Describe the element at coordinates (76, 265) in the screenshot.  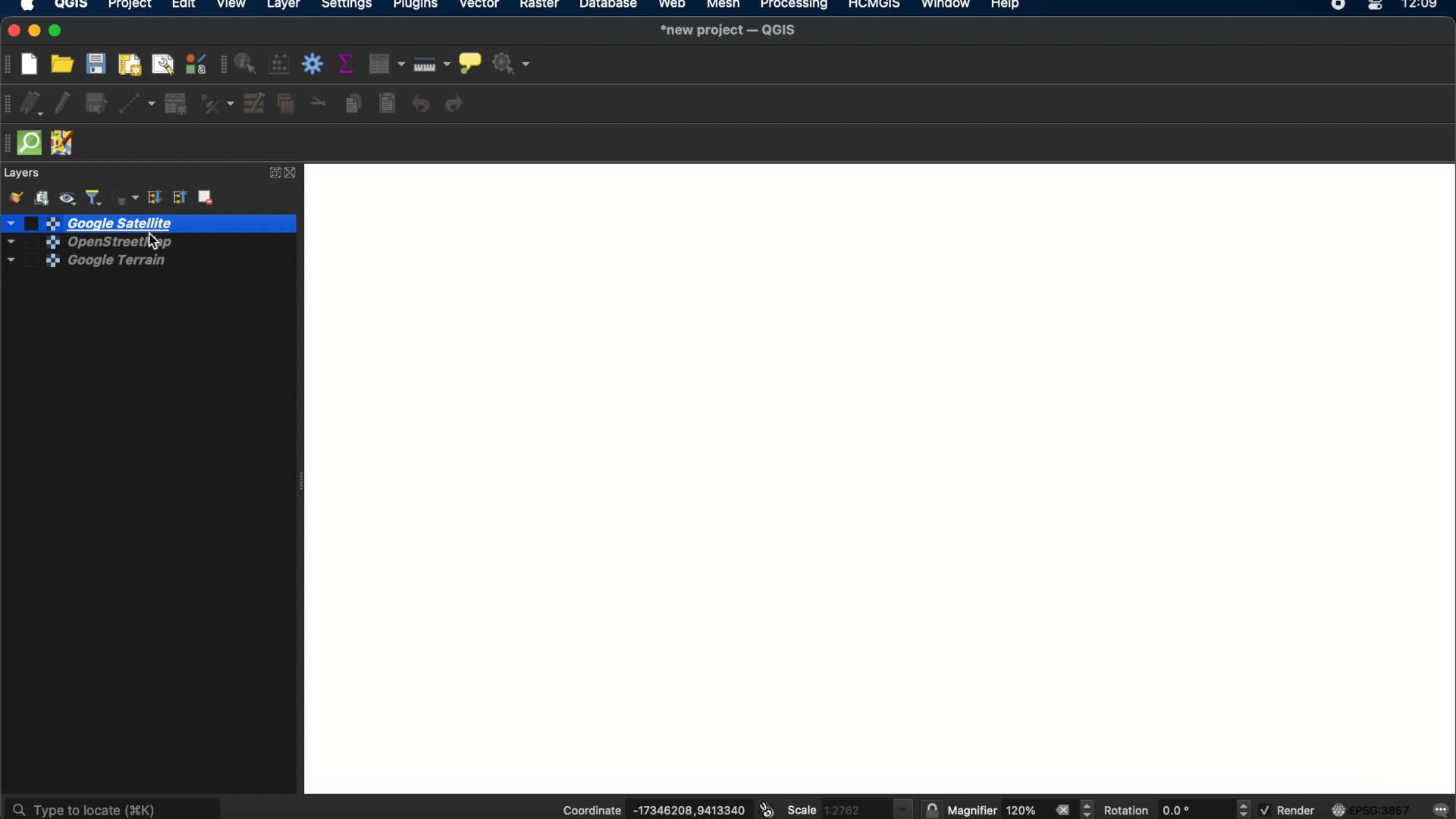
I see `google terrain` at that location.